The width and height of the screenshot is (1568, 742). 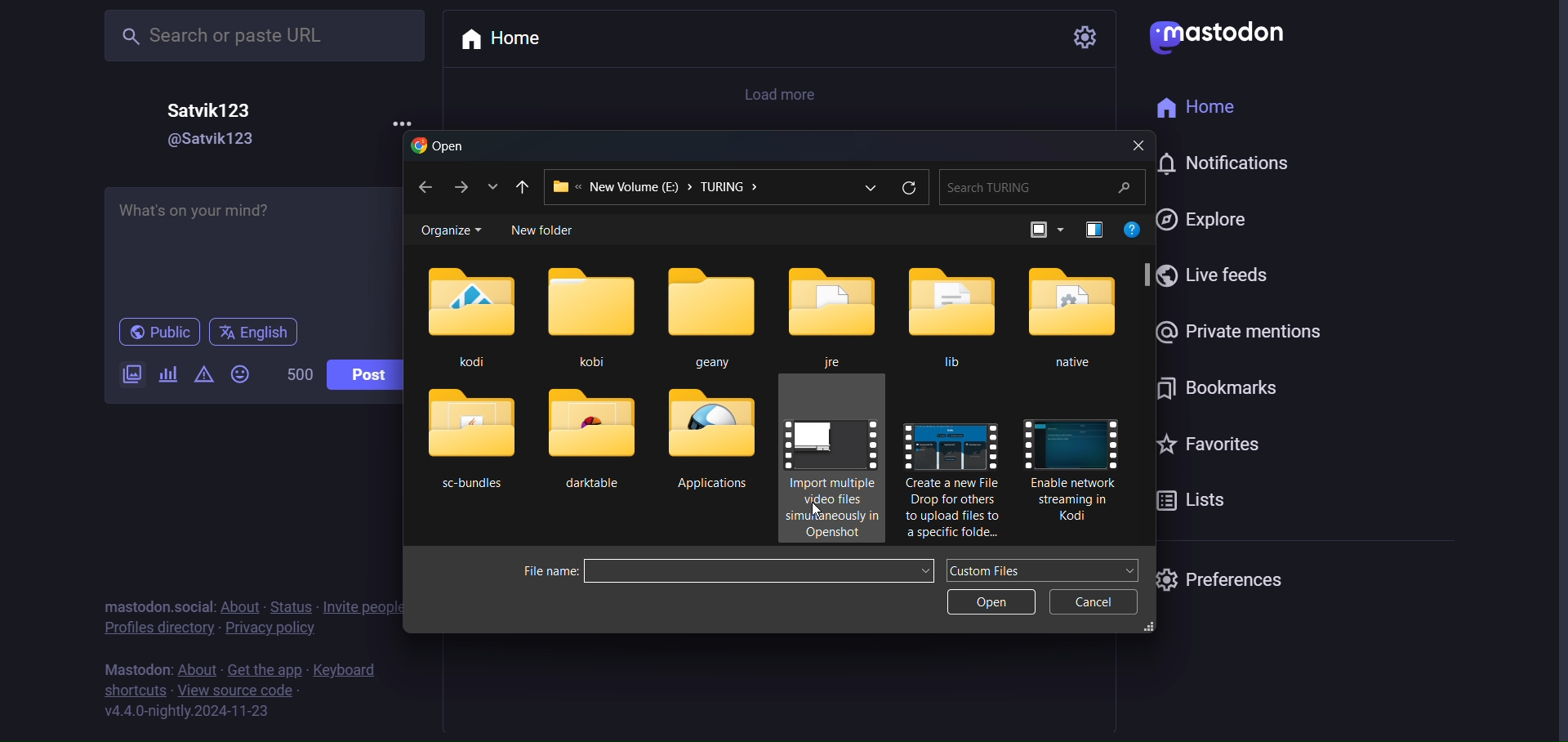 I want to click on back, so click(x=421, y=187).